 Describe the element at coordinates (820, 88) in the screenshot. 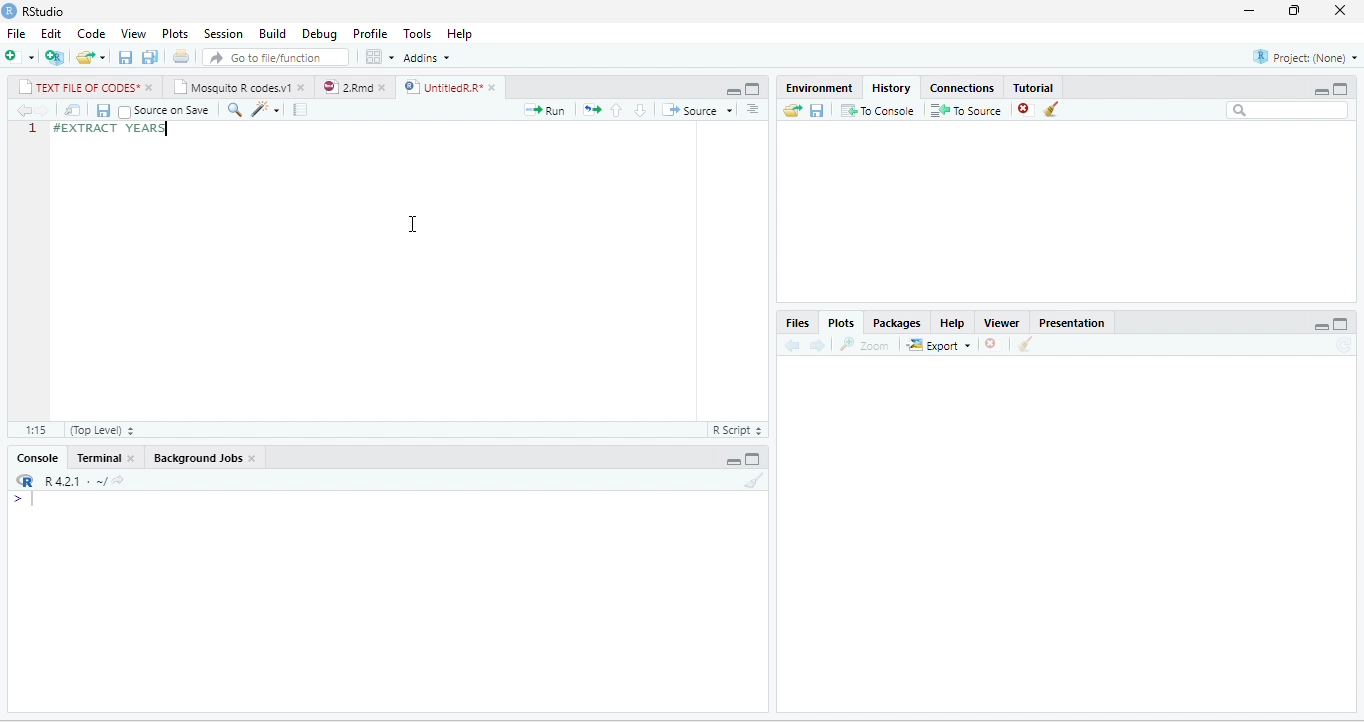

I see `Environment` at that location.